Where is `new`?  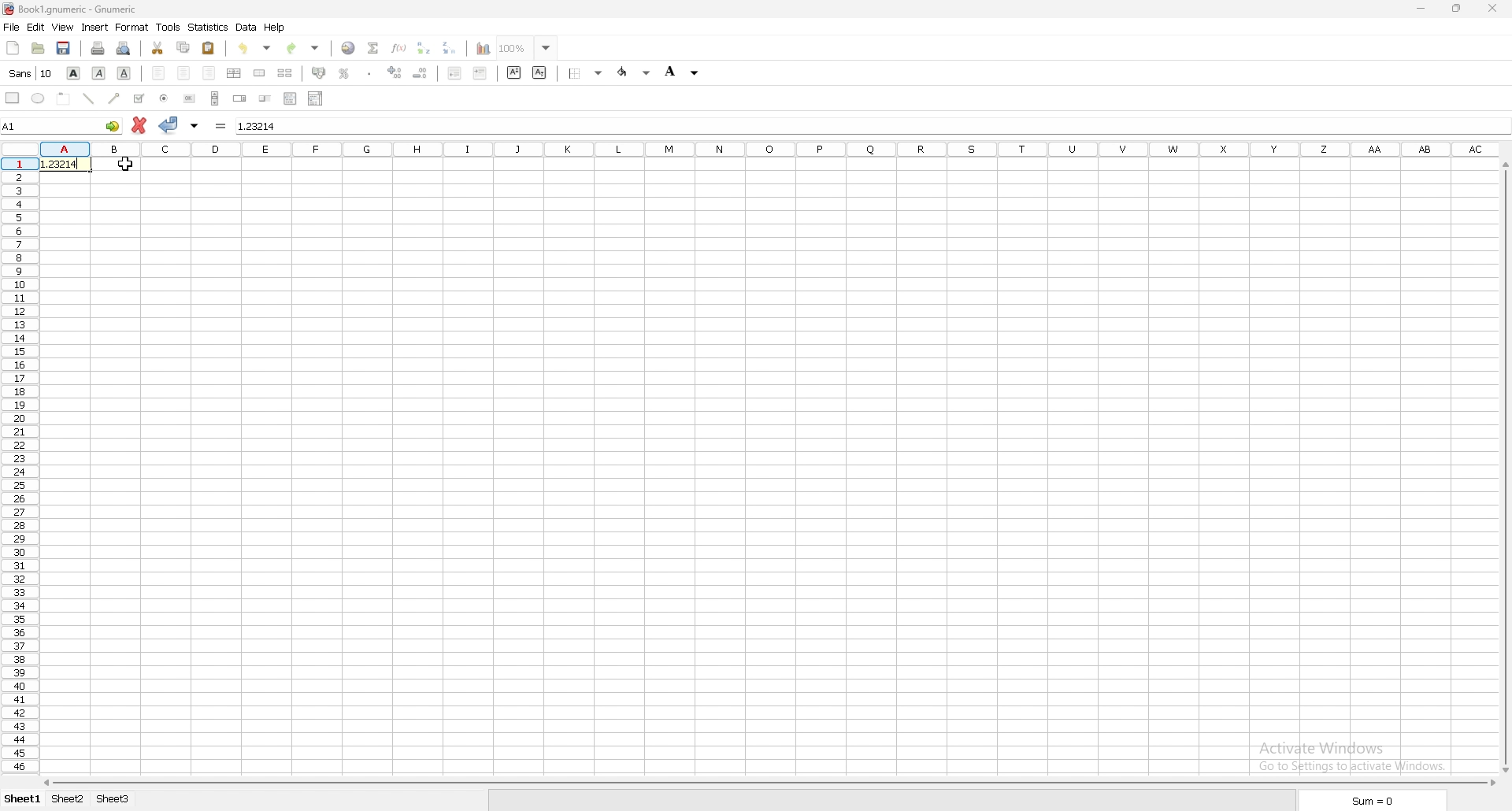 new is located at coordinates (13, 47).